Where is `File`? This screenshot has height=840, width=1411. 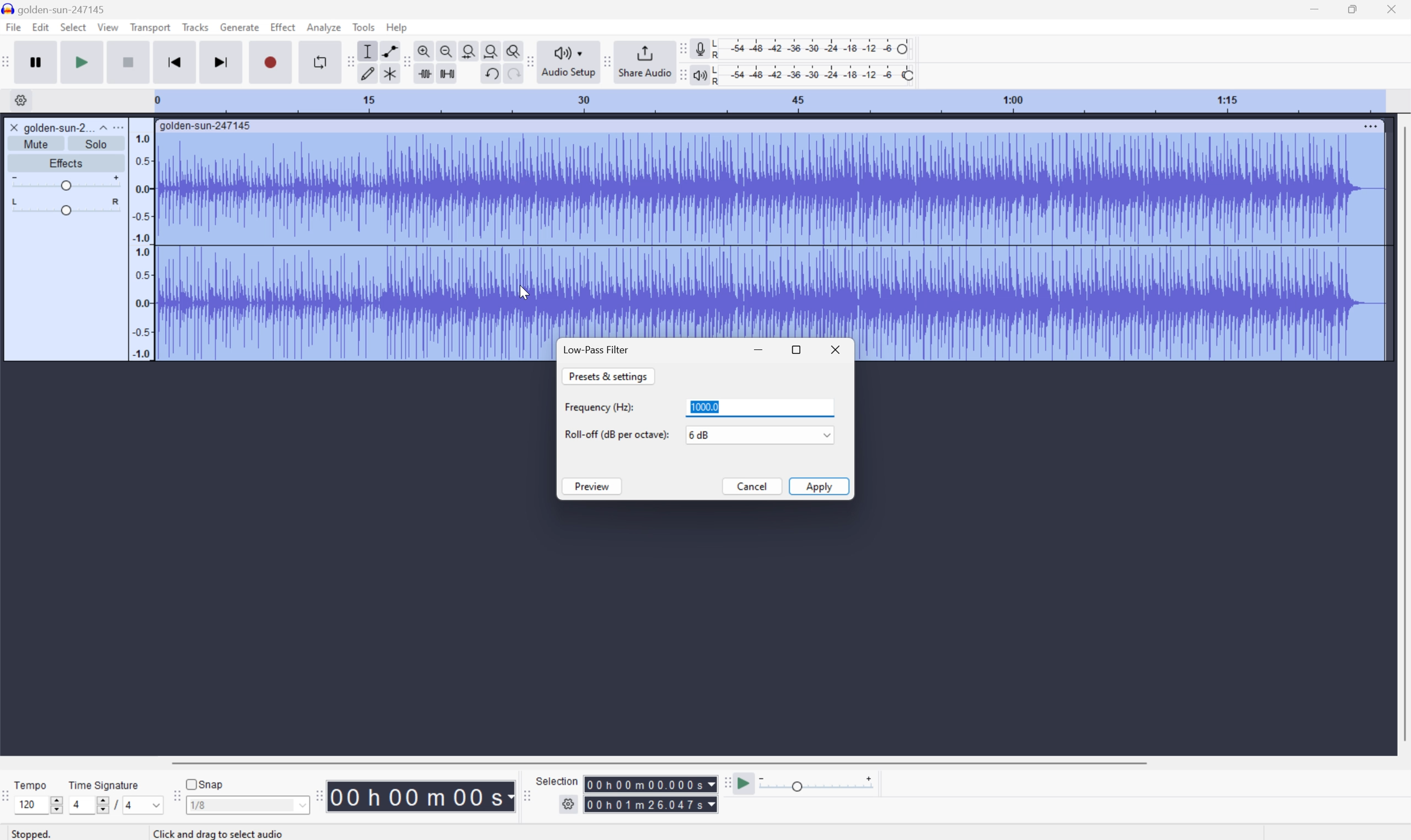 File is located at coordinates (12, 27).